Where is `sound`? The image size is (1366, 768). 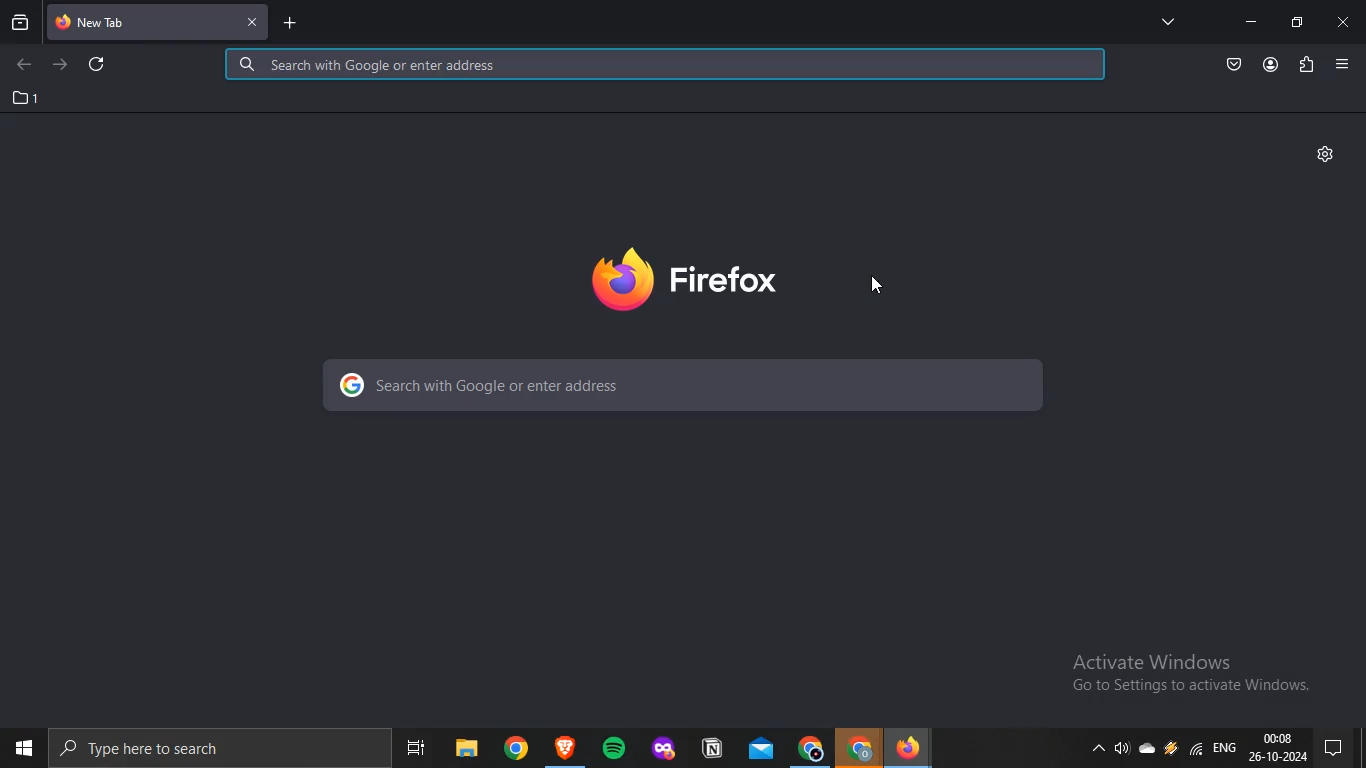 sound is located at coordinates (1120, 750).